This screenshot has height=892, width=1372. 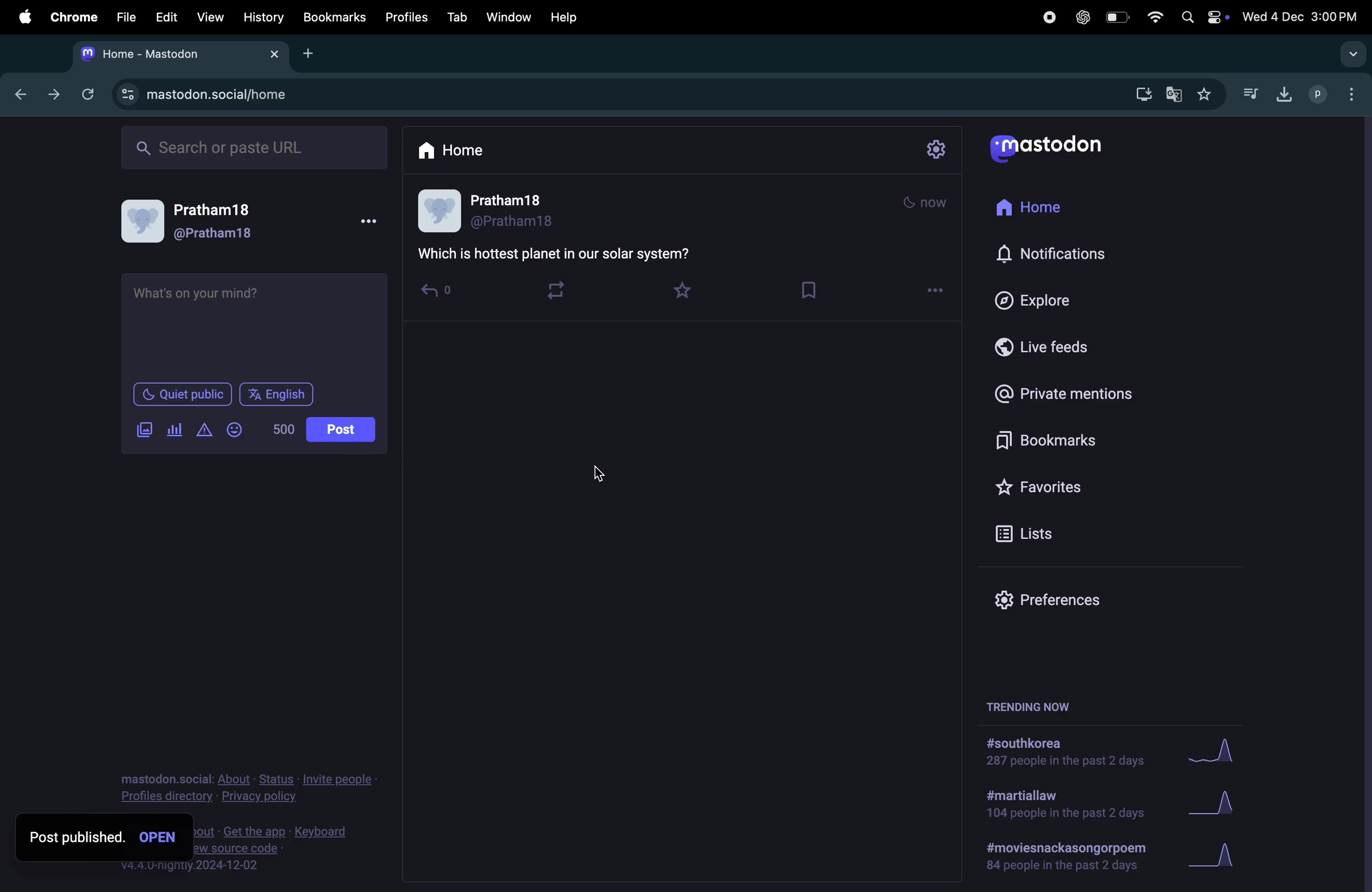 What do you see at coordinates (276, 394) in the screenshot?
I see `English` at bounding box center [276, 394].